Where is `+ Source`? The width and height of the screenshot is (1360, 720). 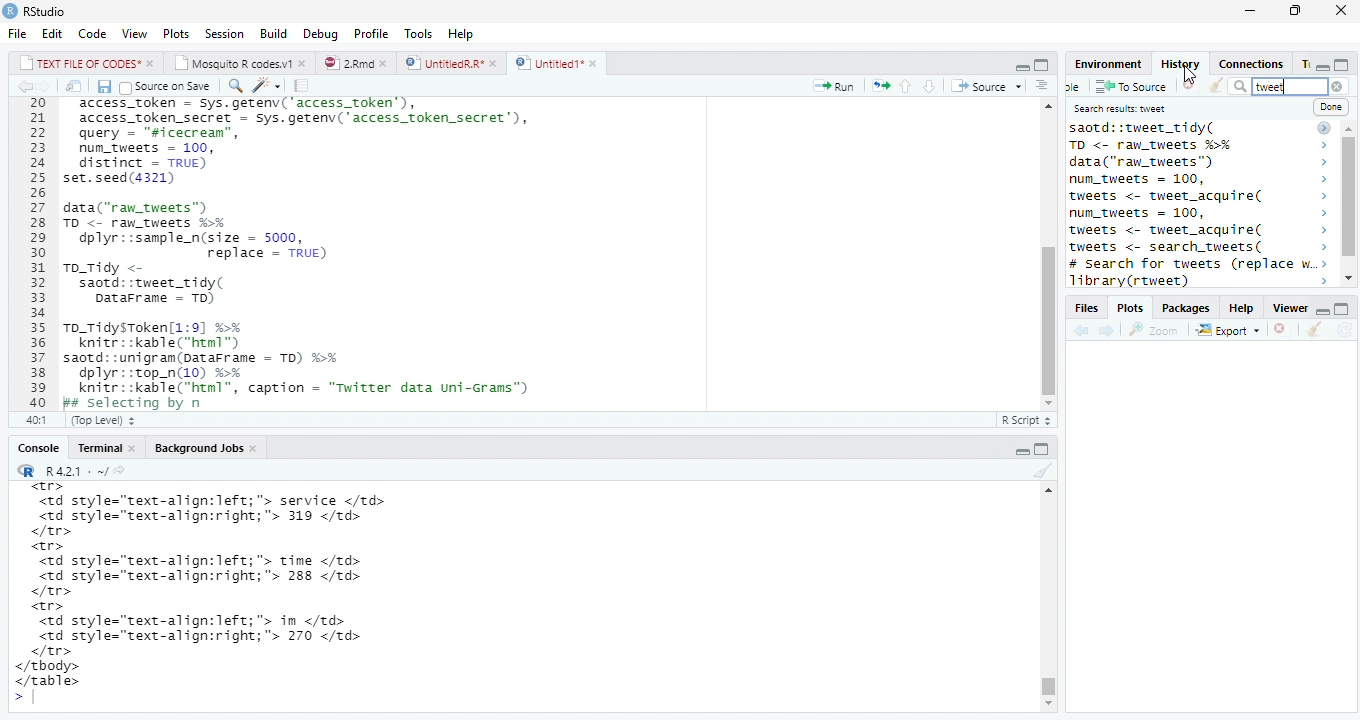 + Source is located at coordinates (992, 86).